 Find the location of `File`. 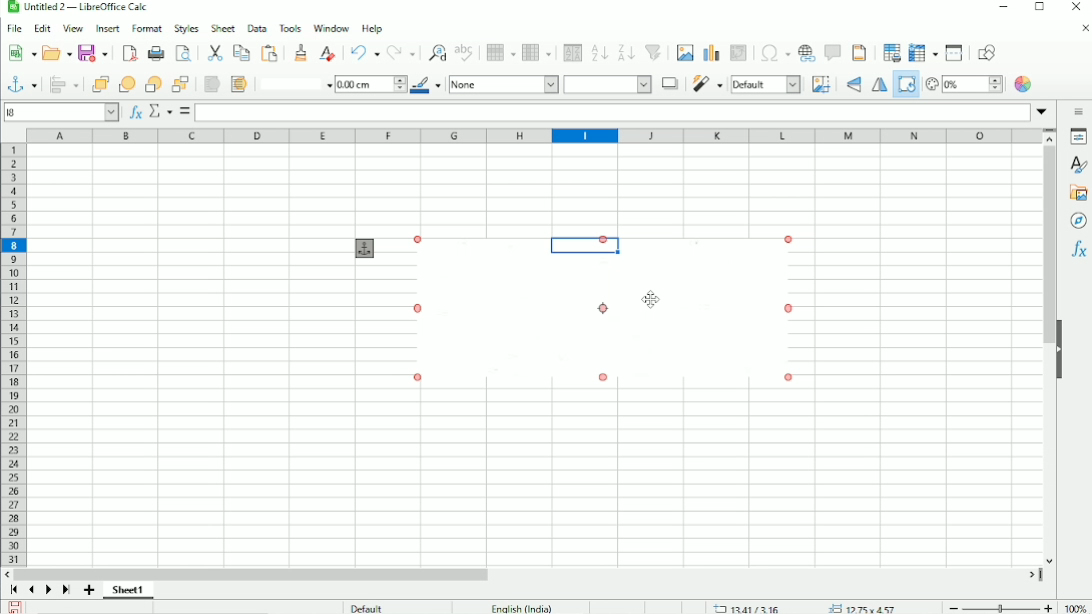

File is located at coordinates (16, 28).